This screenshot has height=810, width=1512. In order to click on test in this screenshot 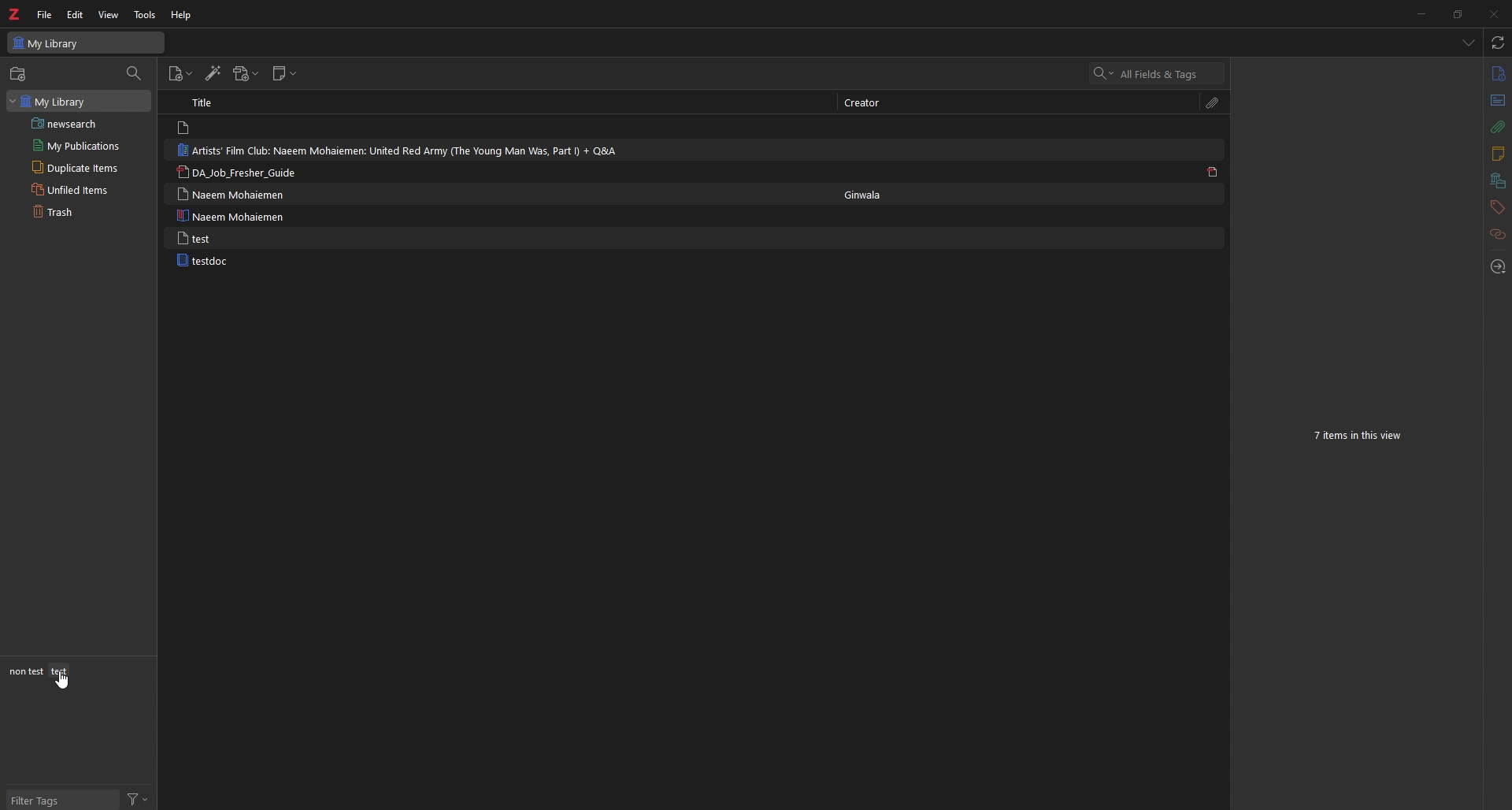, I will do `click(58, 672)`.